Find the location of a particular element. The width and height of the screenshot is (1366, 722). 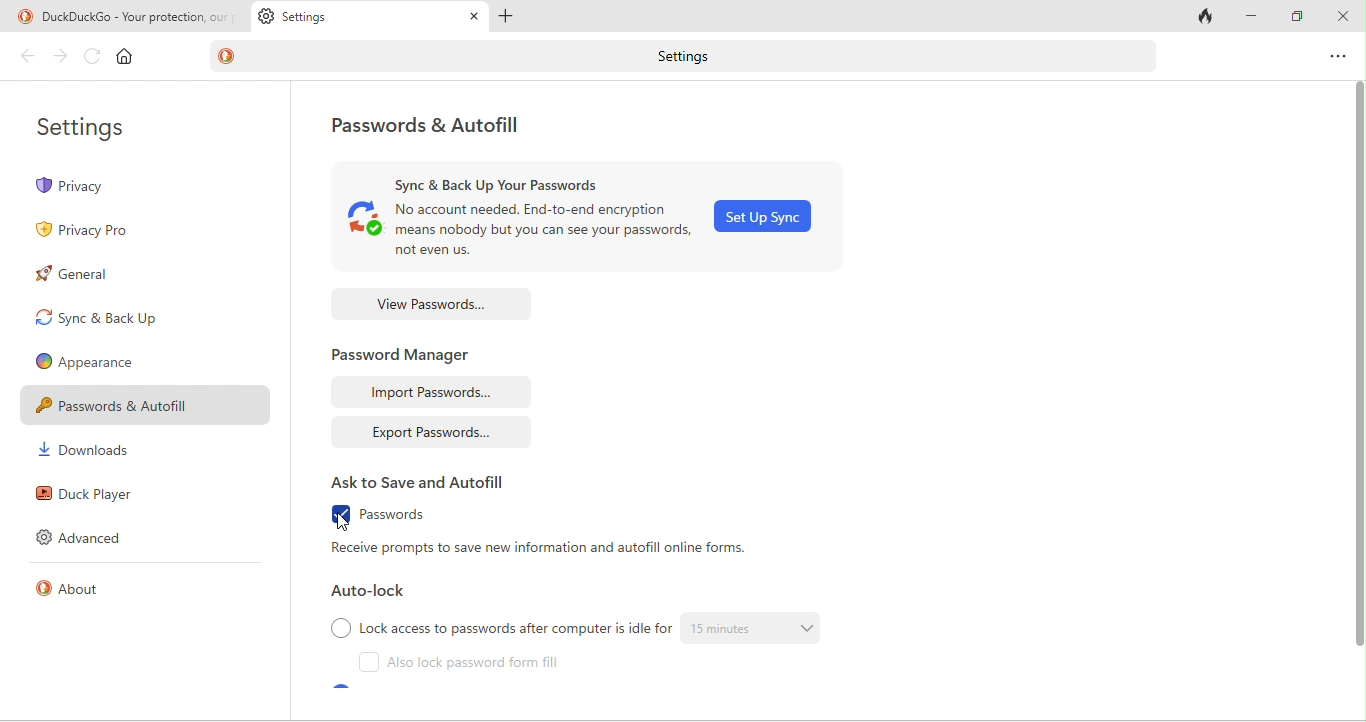

Appearance is located at coordinates (107, 365).